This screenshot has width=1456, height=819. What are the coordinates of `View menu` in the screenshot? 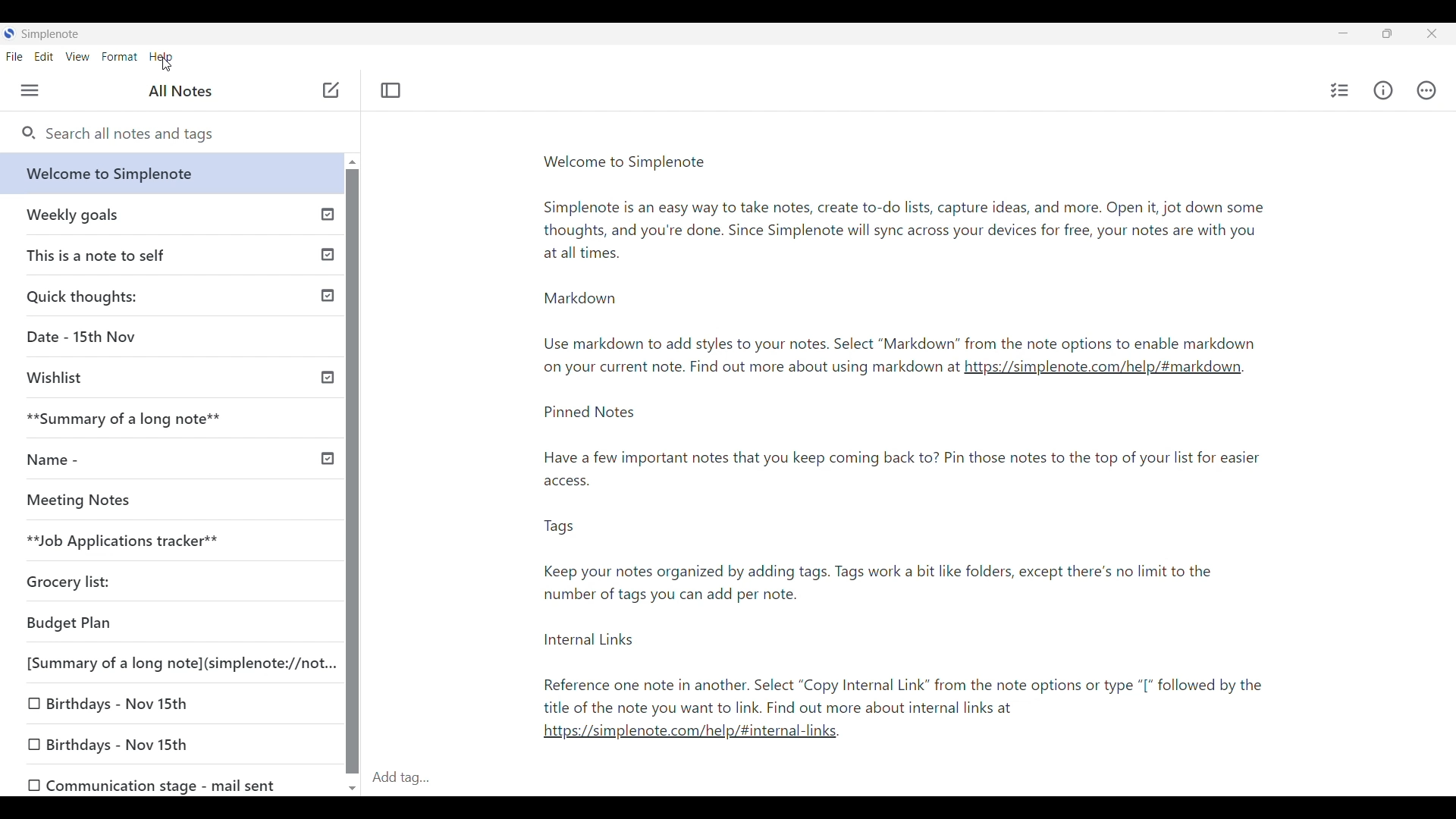 It's located at (77, 57).